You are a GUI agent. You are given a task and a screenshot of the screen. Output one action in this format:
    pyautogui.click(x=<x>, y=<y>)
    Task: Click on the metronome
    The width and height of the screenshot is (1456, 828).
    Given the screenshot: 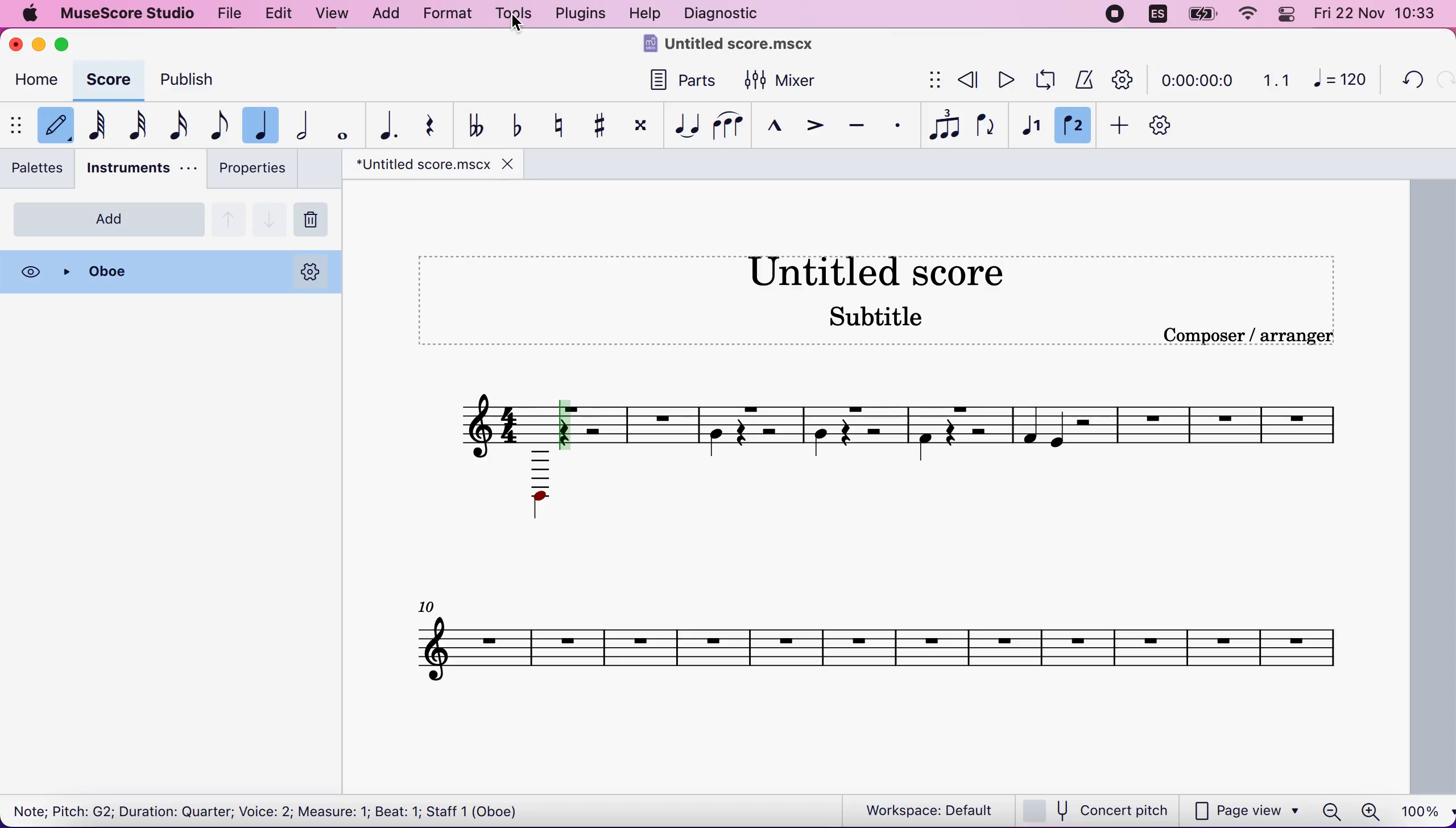 What is the action you would take?
    pyautogui.click(x=1086, y=78)
    